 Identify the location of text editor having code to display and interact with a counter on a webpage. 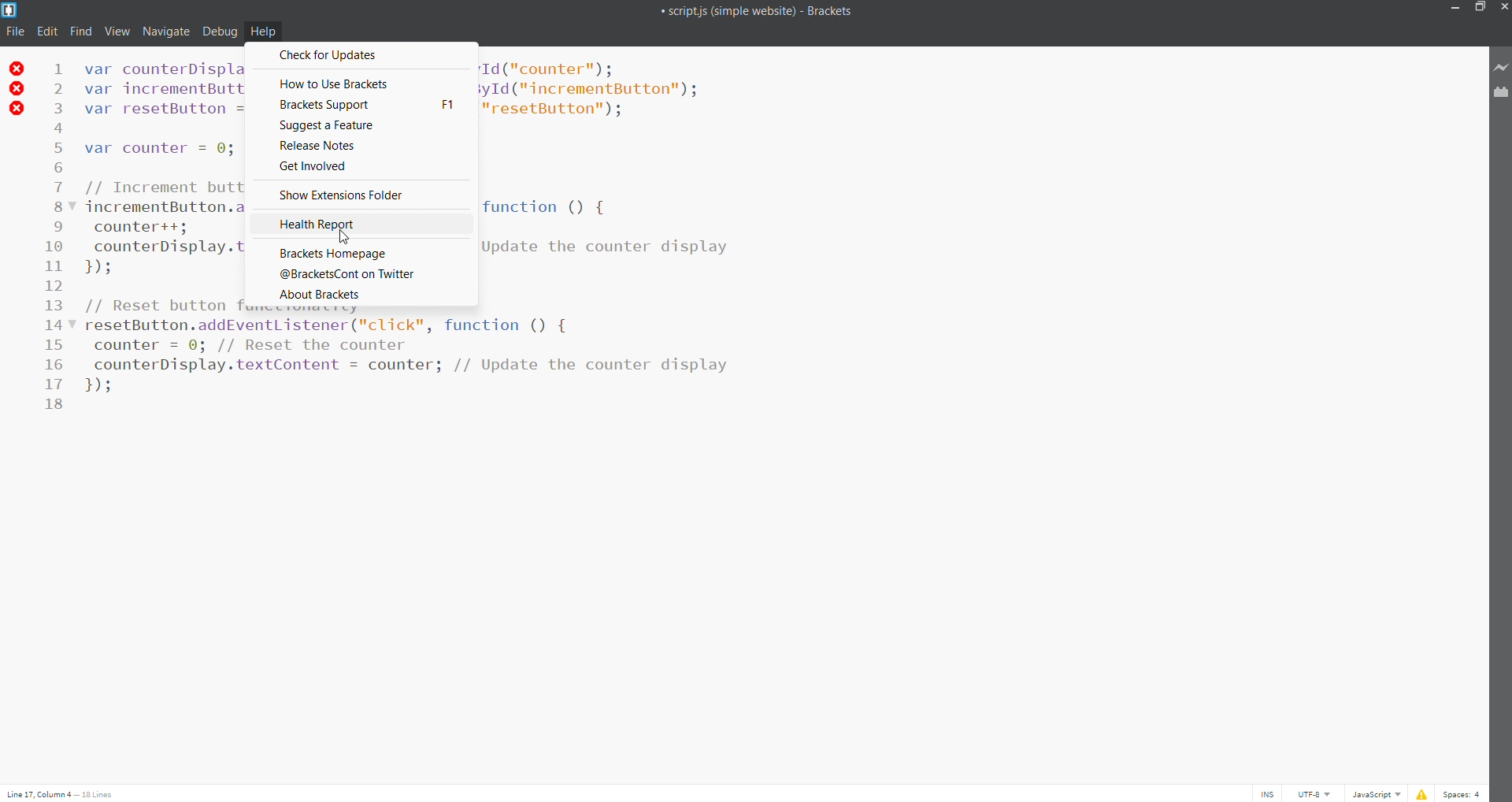
(501, 398).